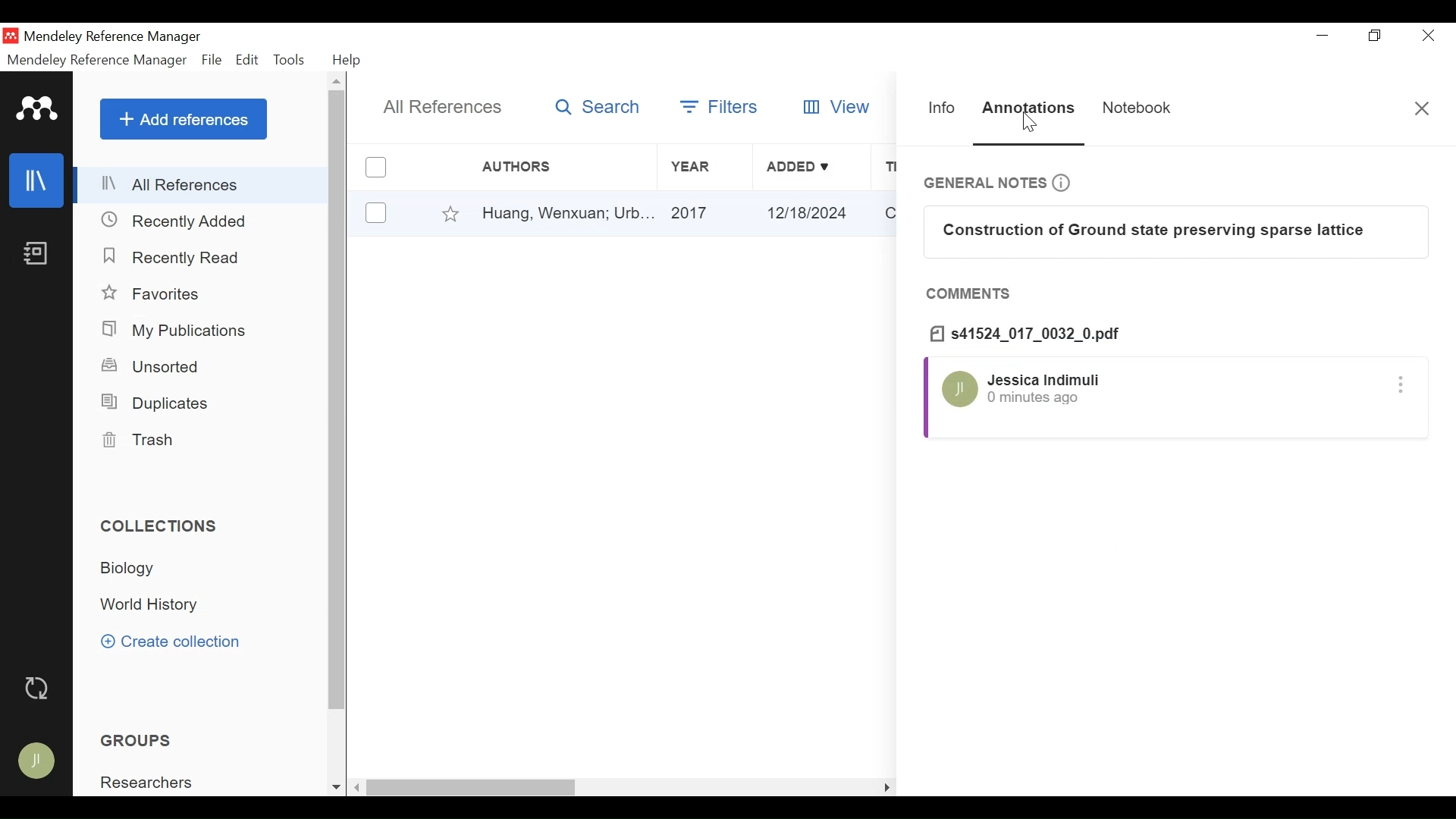  What do you see at coordinates (375, 168) in the screenshot?
I see `(un)Select All` at bounding box center [375, 168].